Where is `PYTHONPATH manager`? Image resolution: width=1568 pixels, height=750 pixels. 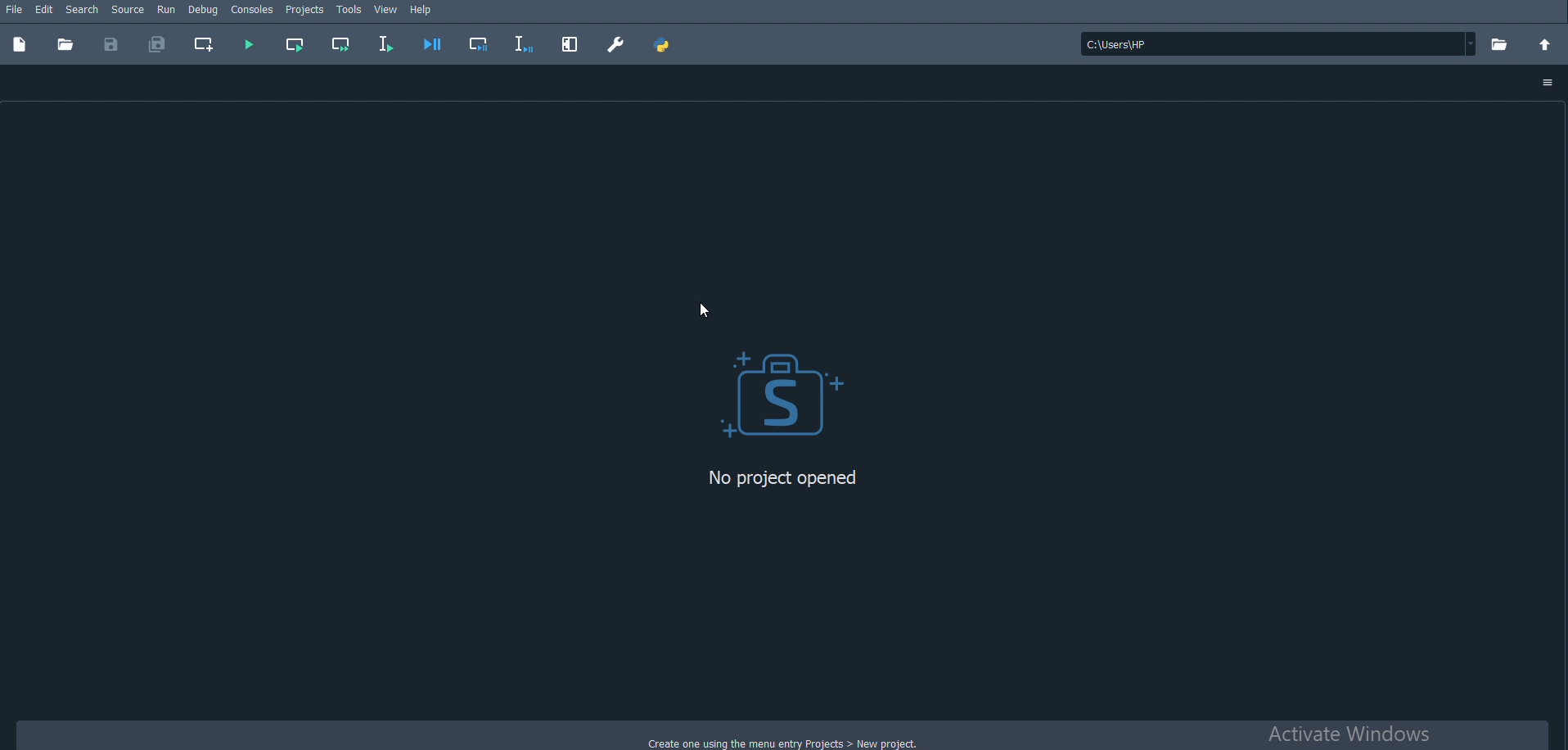 PYTHONPATH manager is located at coordinates (663, 43).